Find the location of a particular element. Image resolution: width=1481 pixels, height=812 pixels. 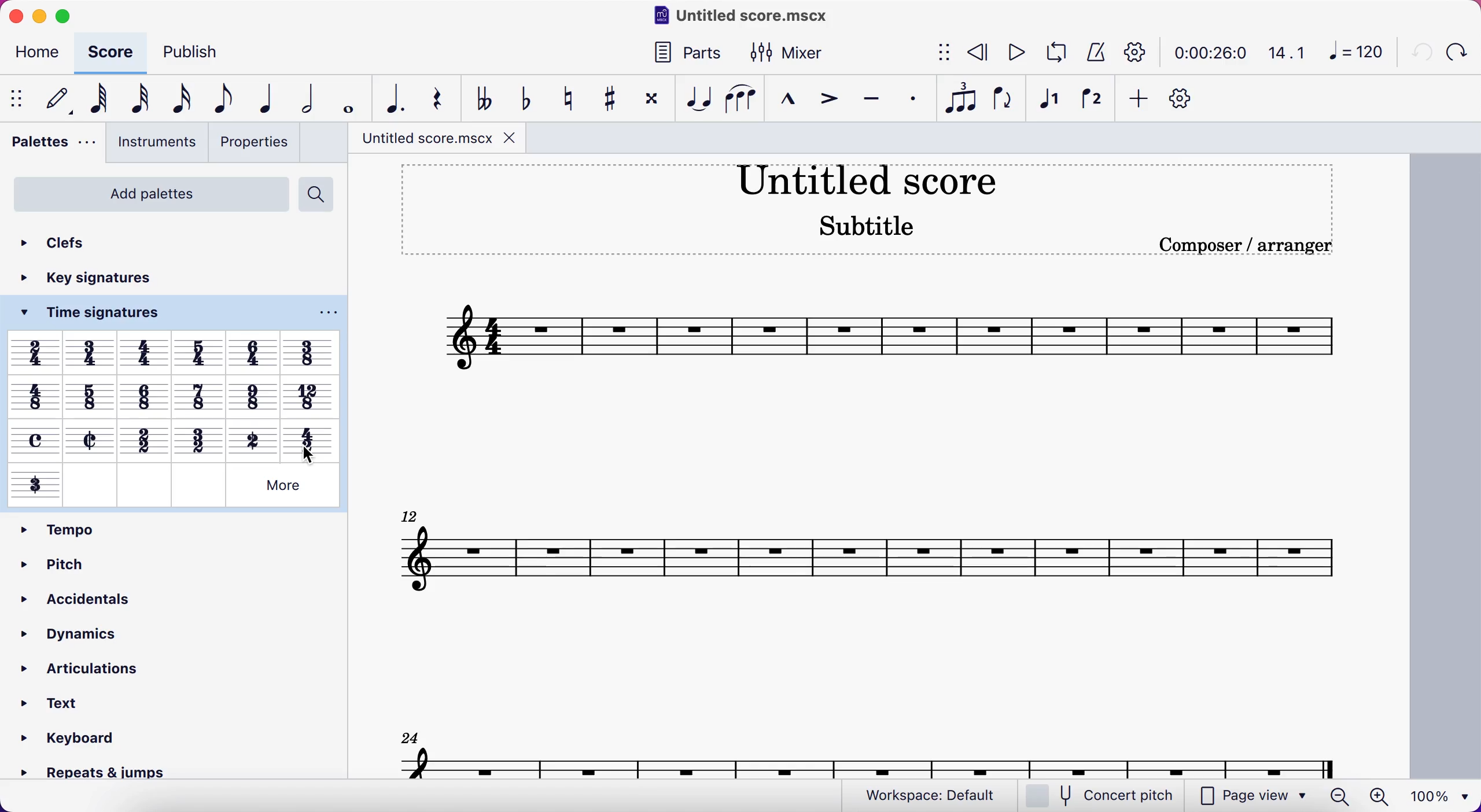

 is located at coordinates (197, 396).